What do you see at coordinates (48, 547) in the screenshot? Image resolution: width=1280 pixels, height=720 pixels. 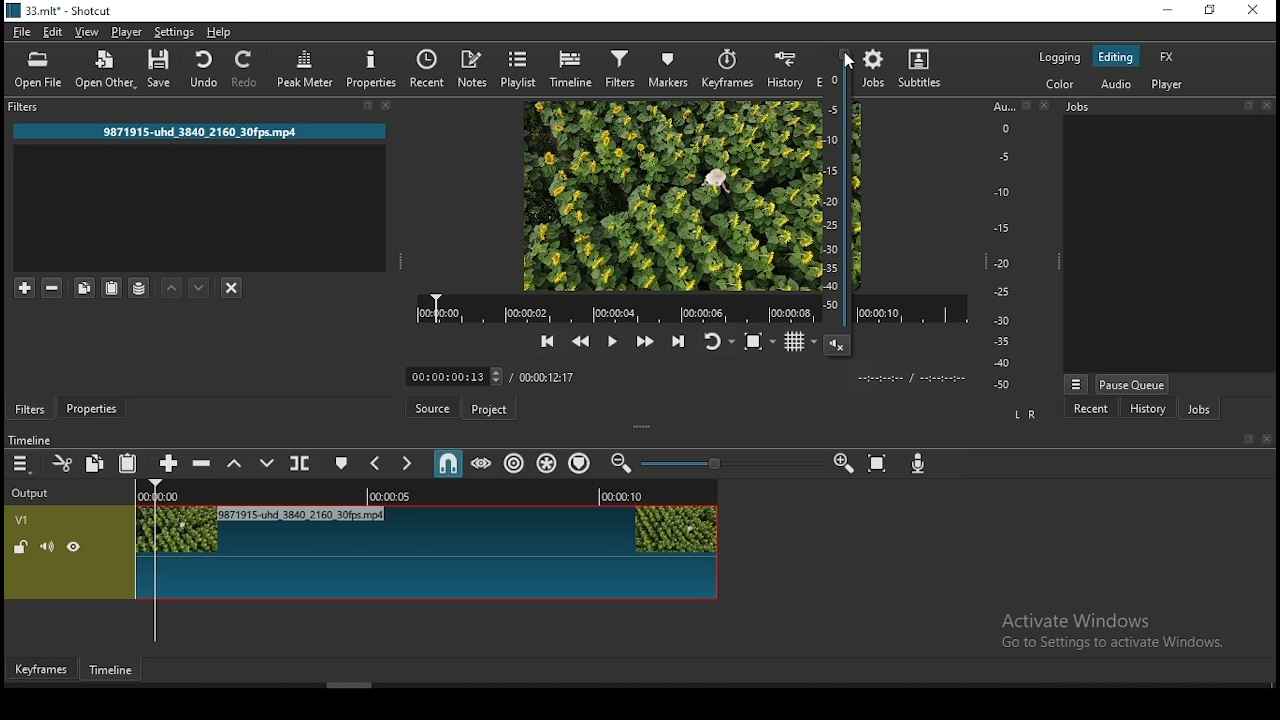 I see `(un) mute` at bounding box center [48, 547].